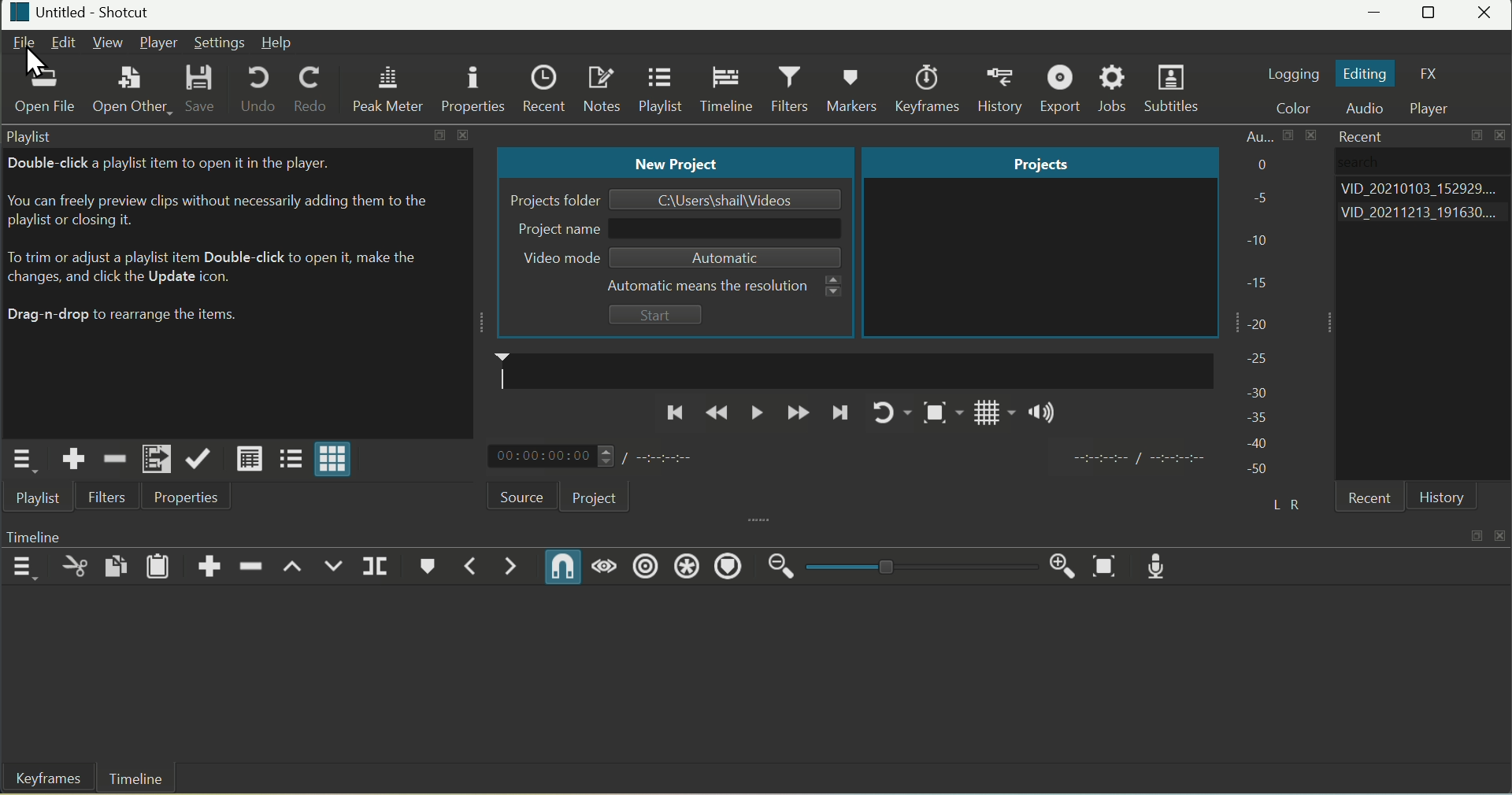 This screenshot has height=795, width=1512. I want to click on Player, so click(161, 43).